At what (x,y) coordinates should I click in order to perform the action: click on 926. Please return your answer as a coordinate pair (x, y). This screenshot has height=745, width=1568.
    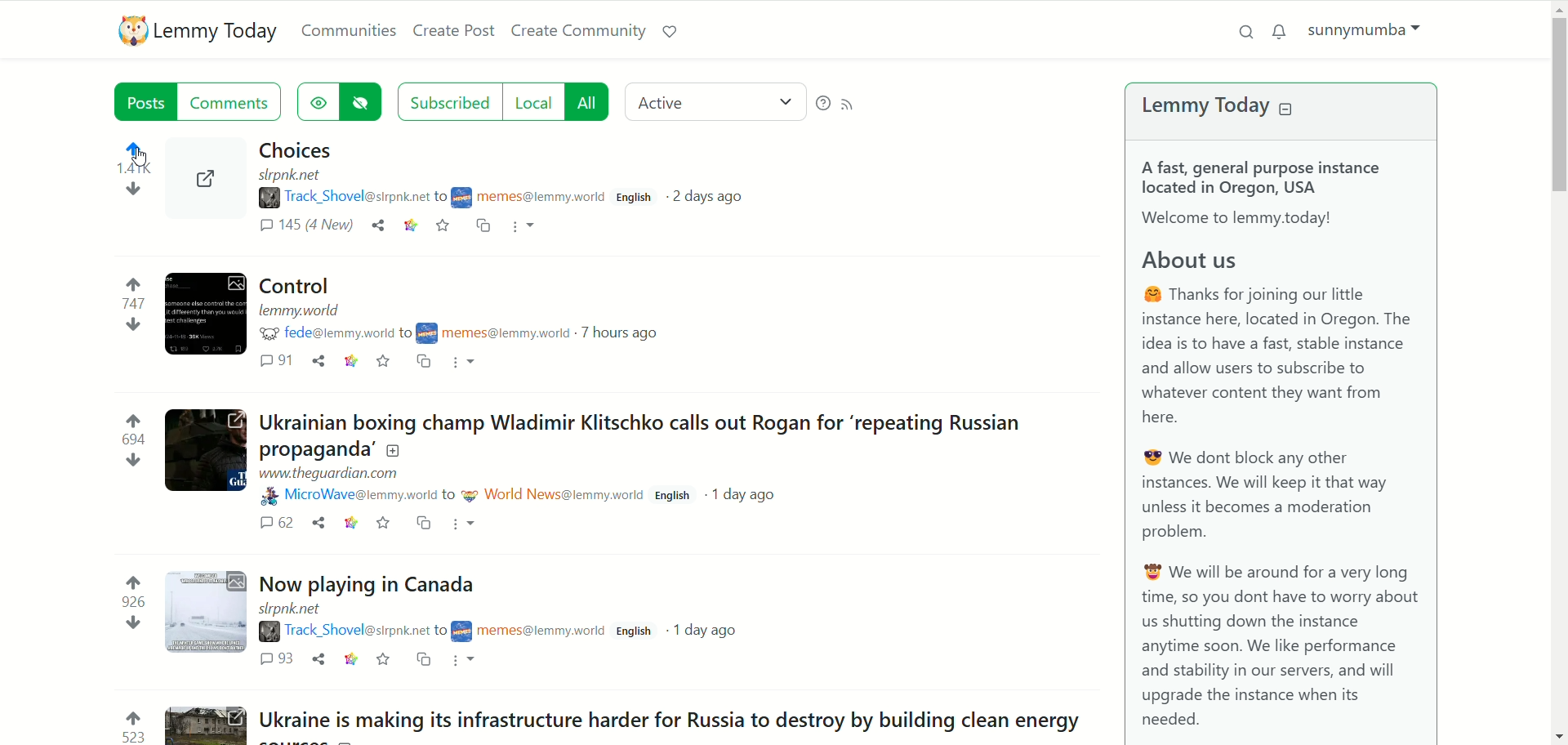
    Looking at the image, I should click on (131, 601).